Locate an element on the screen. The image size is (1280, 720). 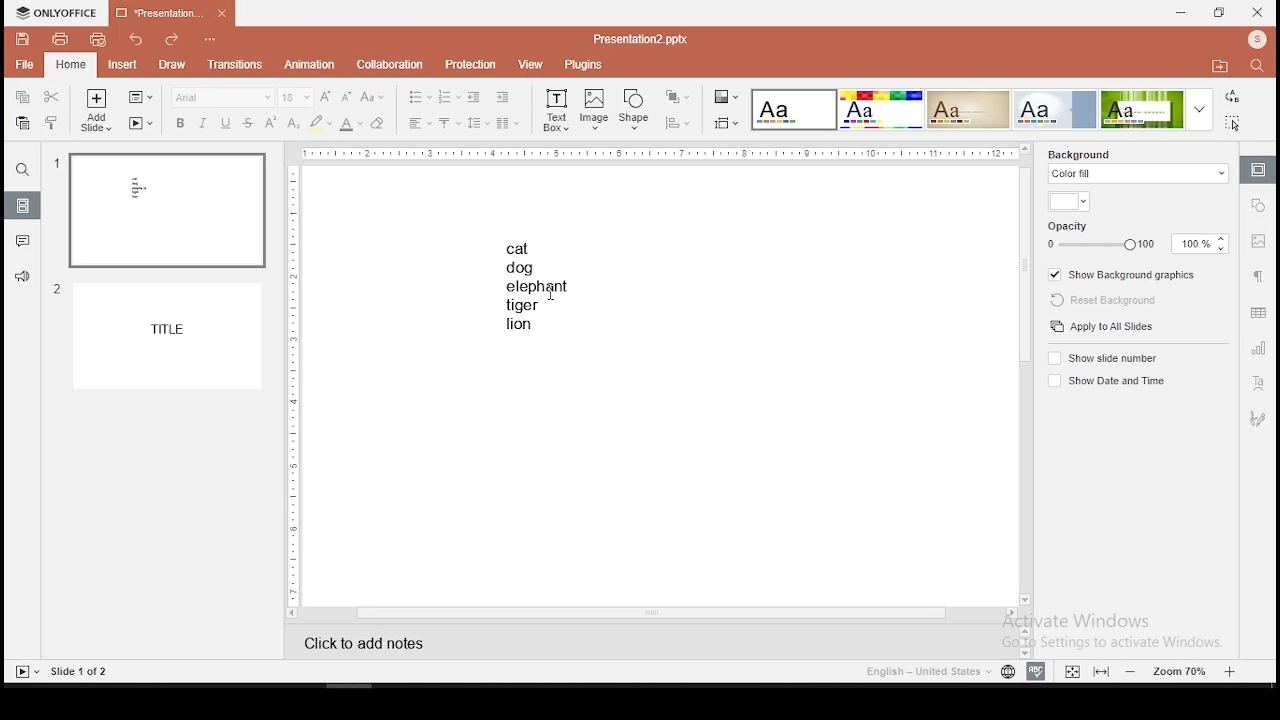
opacity is located at coordinates (1136, 237).